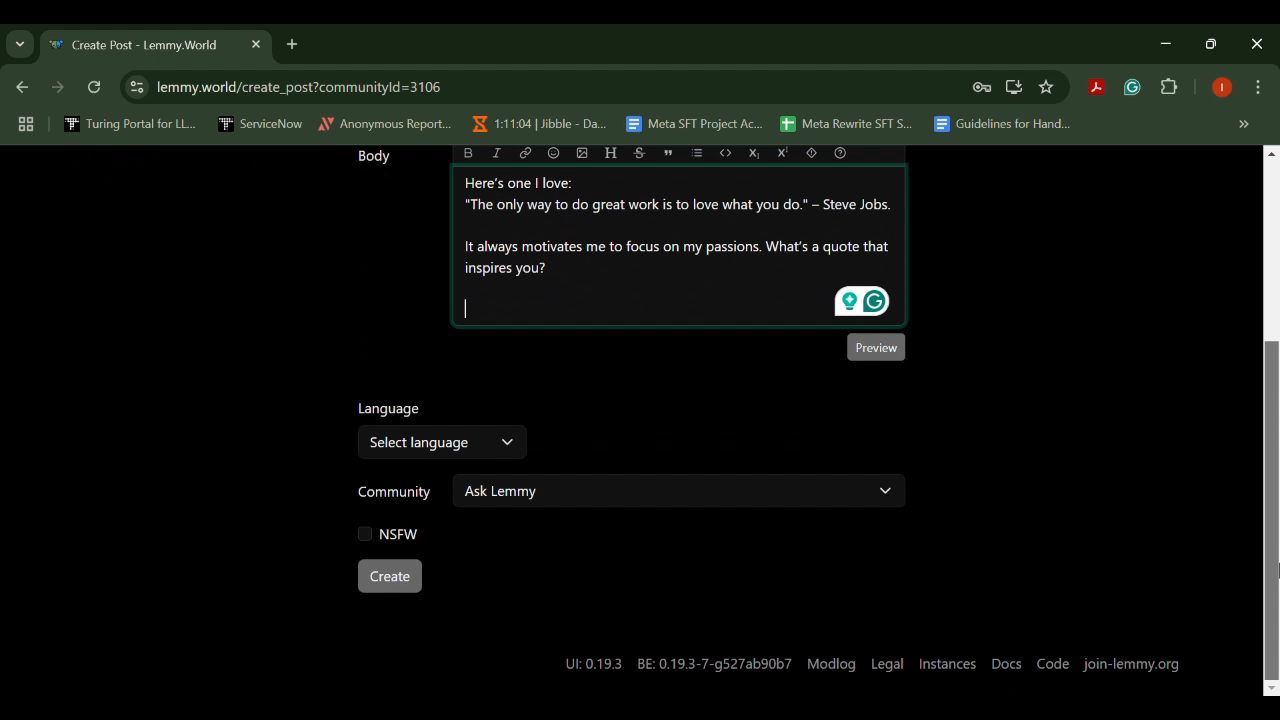 This screenshot has height=720, width=1280. Describe the element at coordinates (641, 152) in the screenshot. I see `strikethrough` at that location.